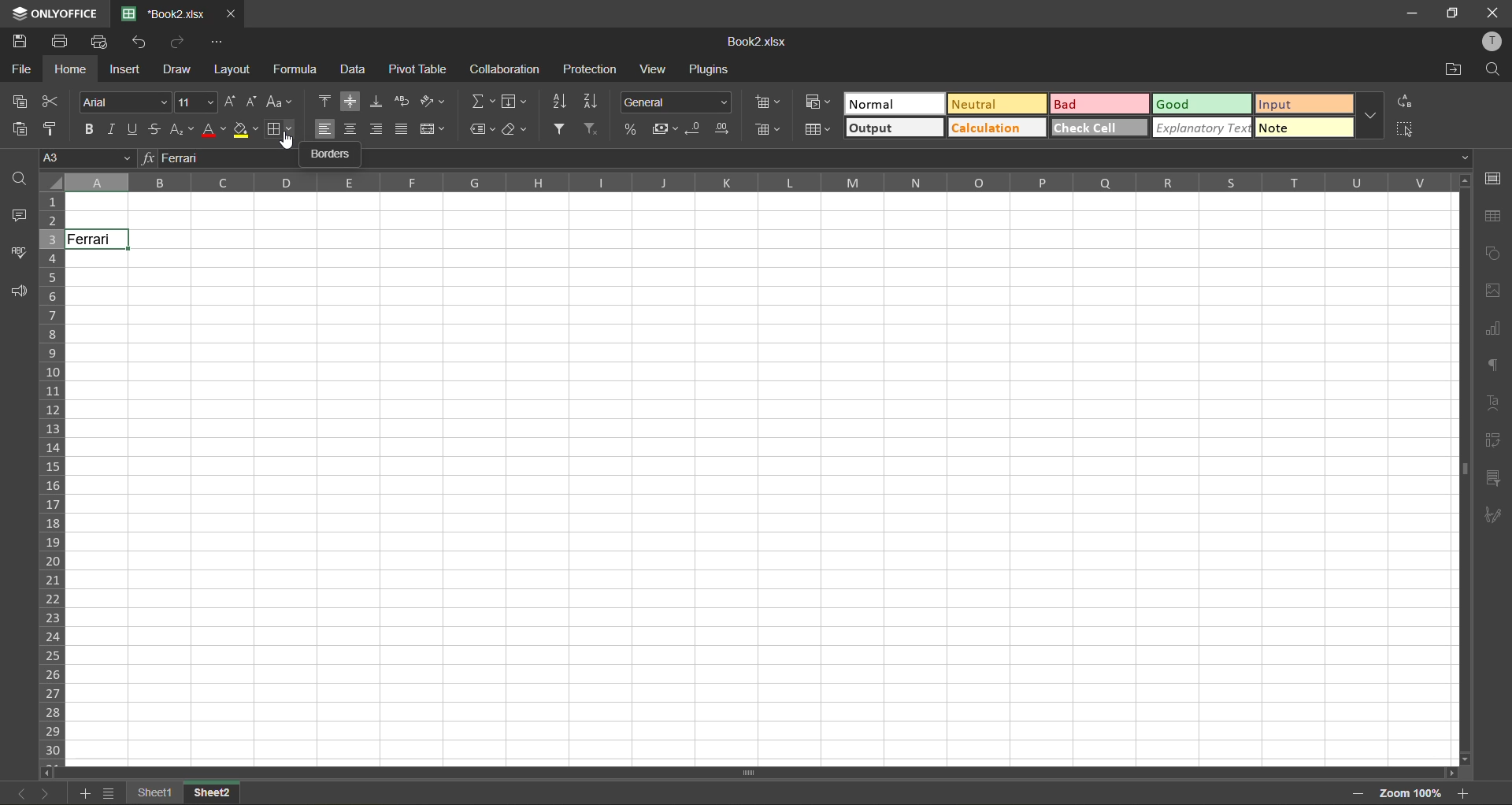 The image size is (1512, 805). I want to click on decrease decimal, so click(695, 129).